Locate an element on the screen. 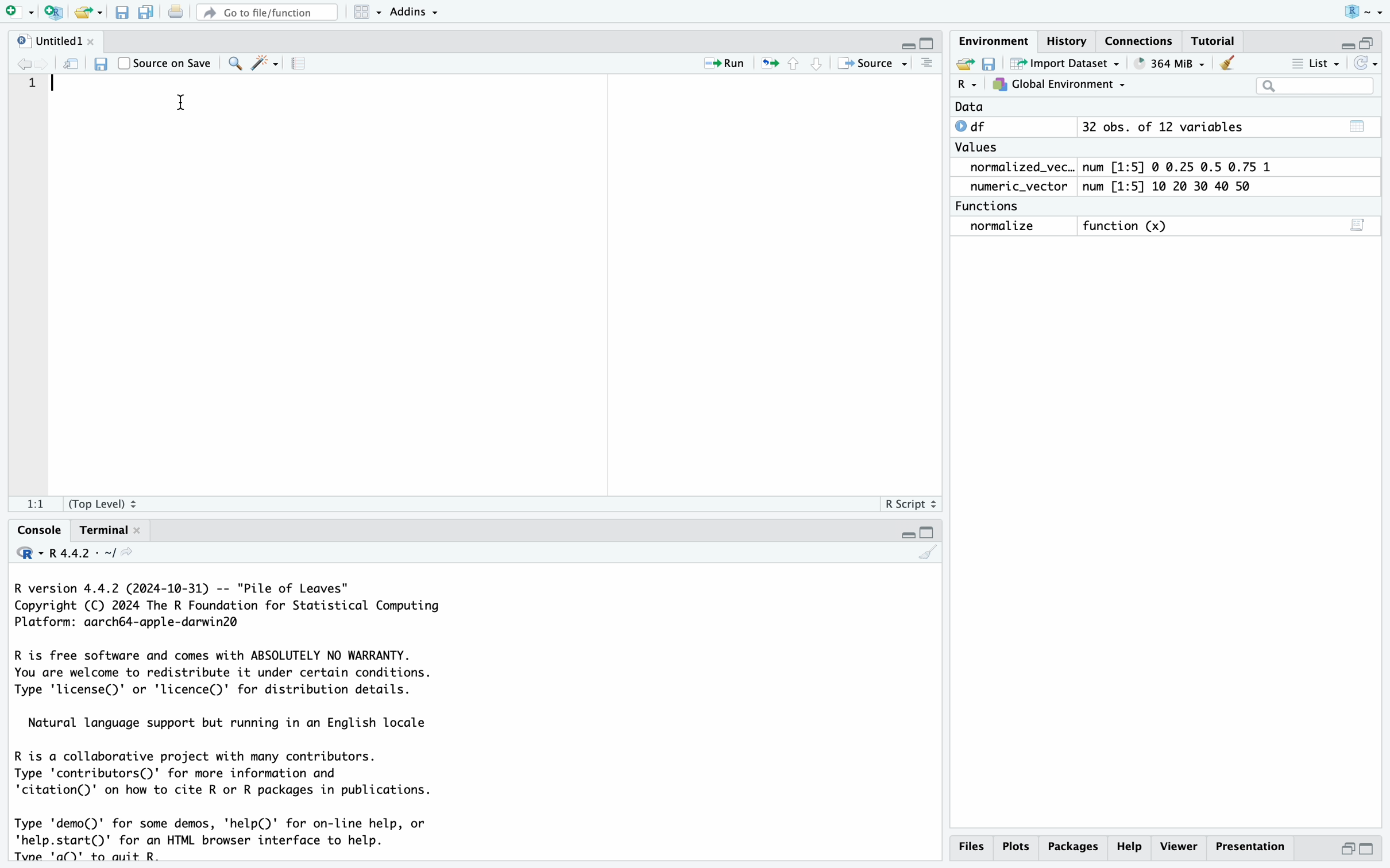  Page is located at coordinates (299, 64).